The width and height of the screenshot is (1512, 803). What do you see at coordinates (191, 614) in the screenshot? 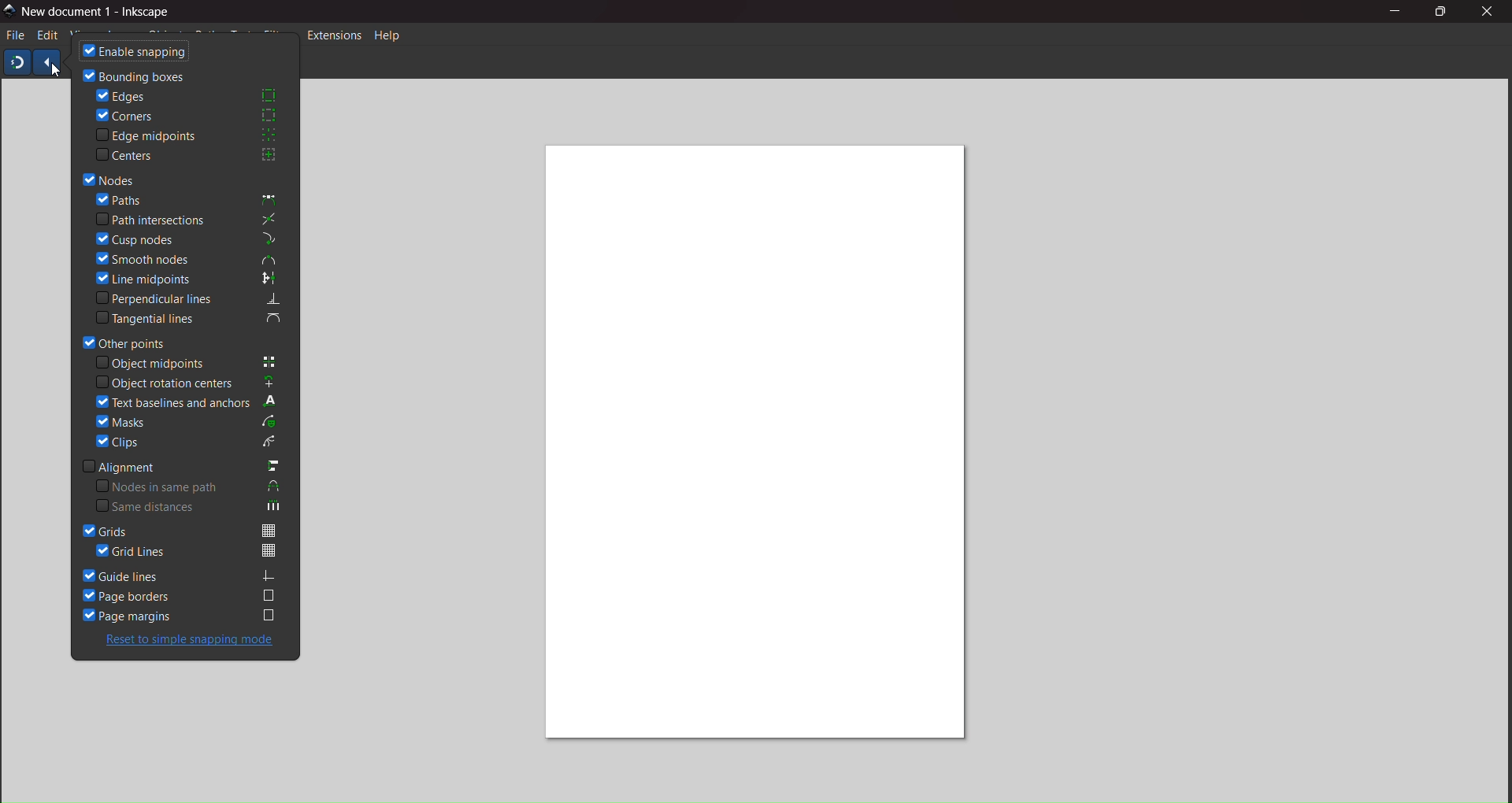
I see `Page margin` at bounding box center [191, 614].